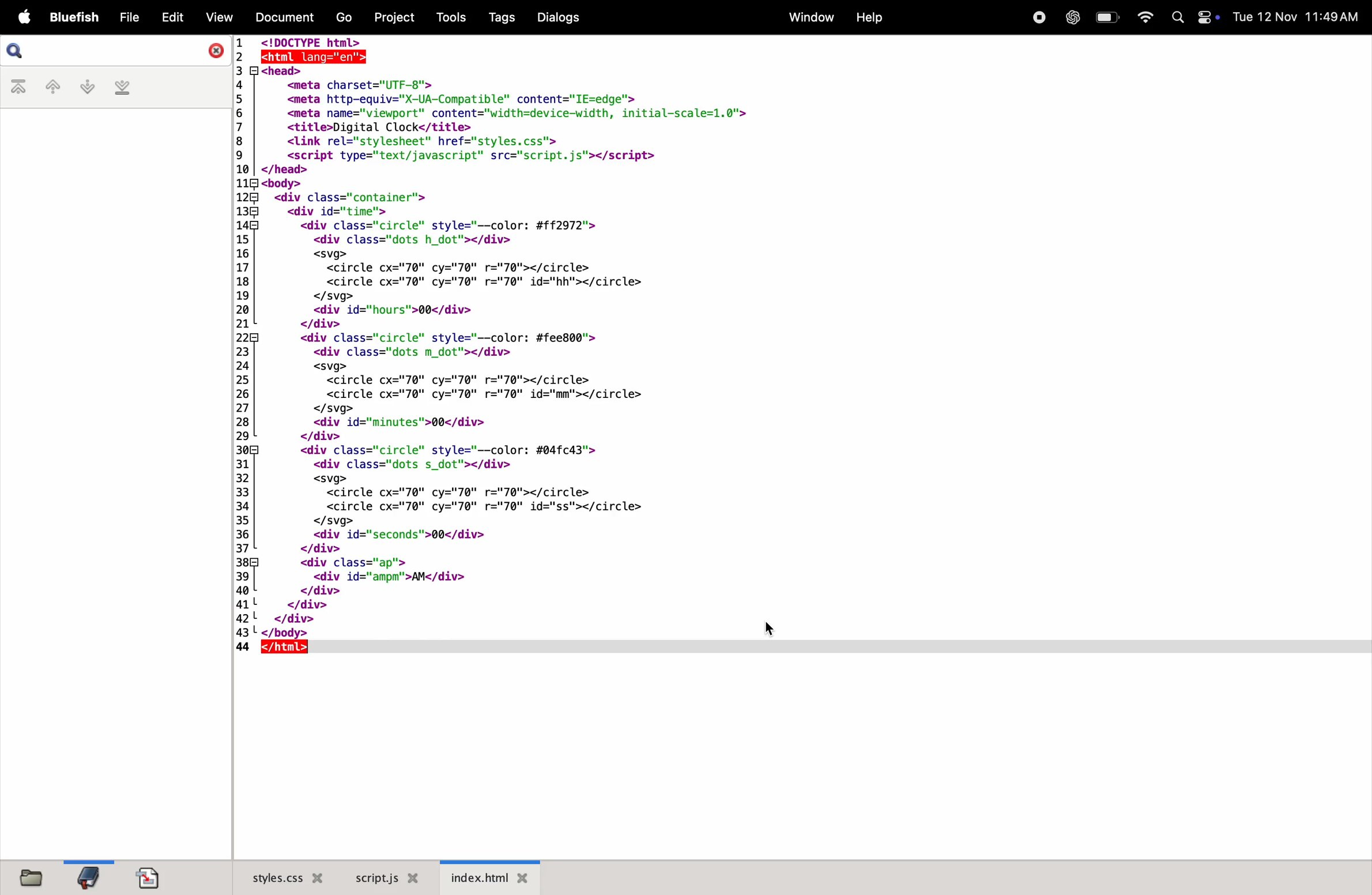 This screenshot has width=1372, height=895. Describe the element at coordinates (344, 16) in the screenshot. I see `go` at that location.